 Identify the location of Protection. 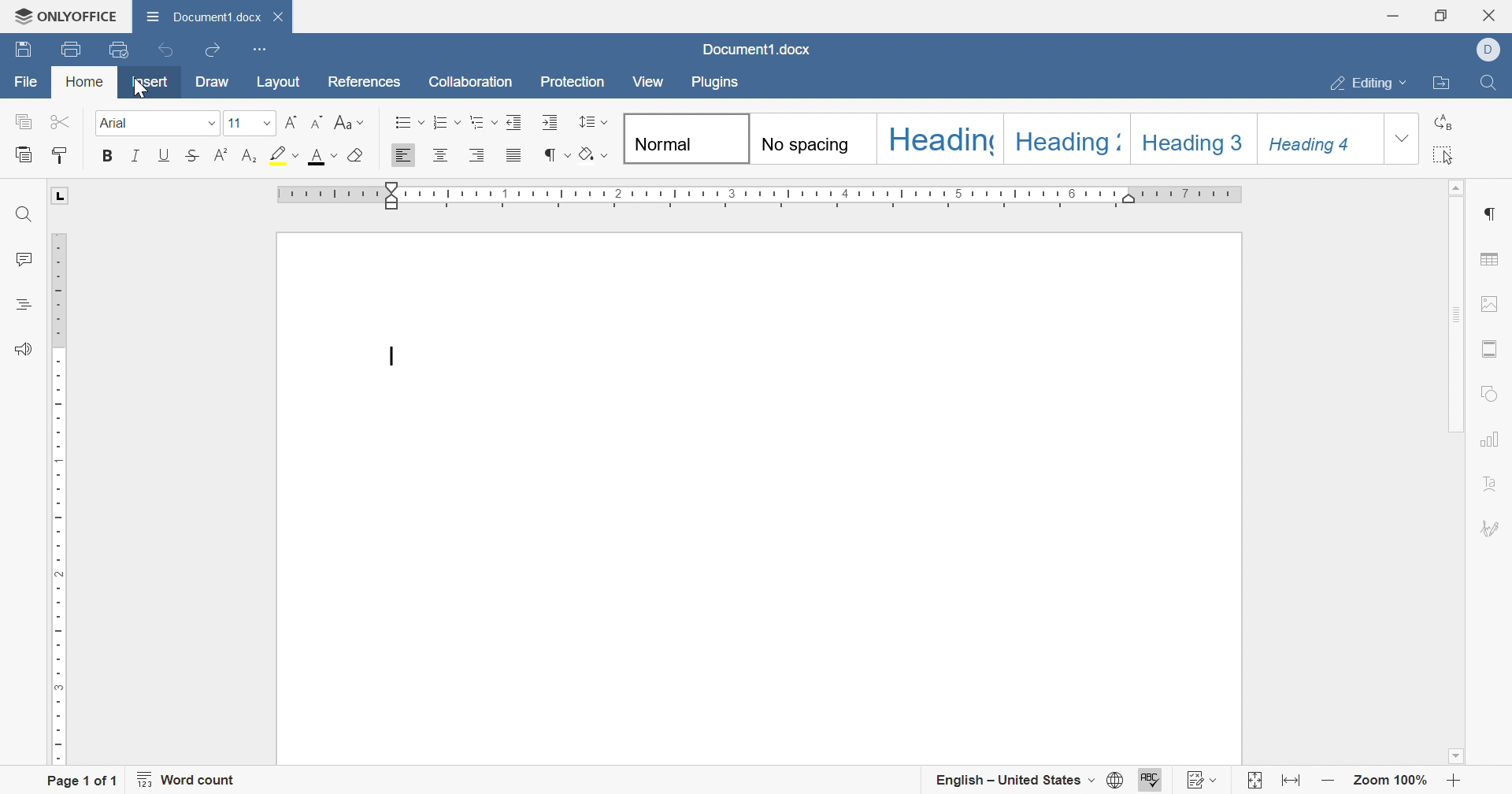
(575, 83).